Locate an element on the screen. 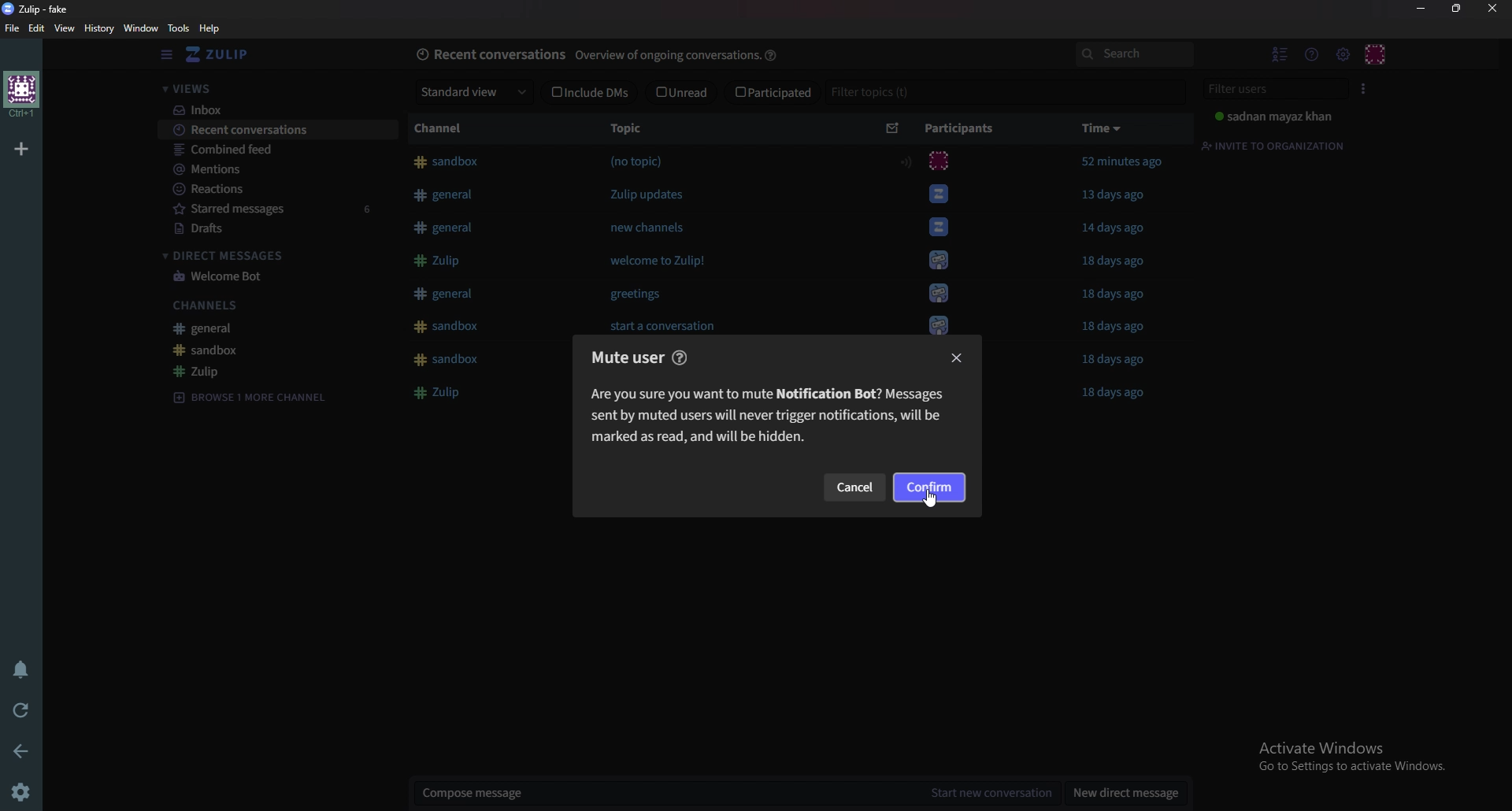 Image resolution: width=1512 pixels, height=811 pixels. Filter topics is located at coordinates (870, 91).